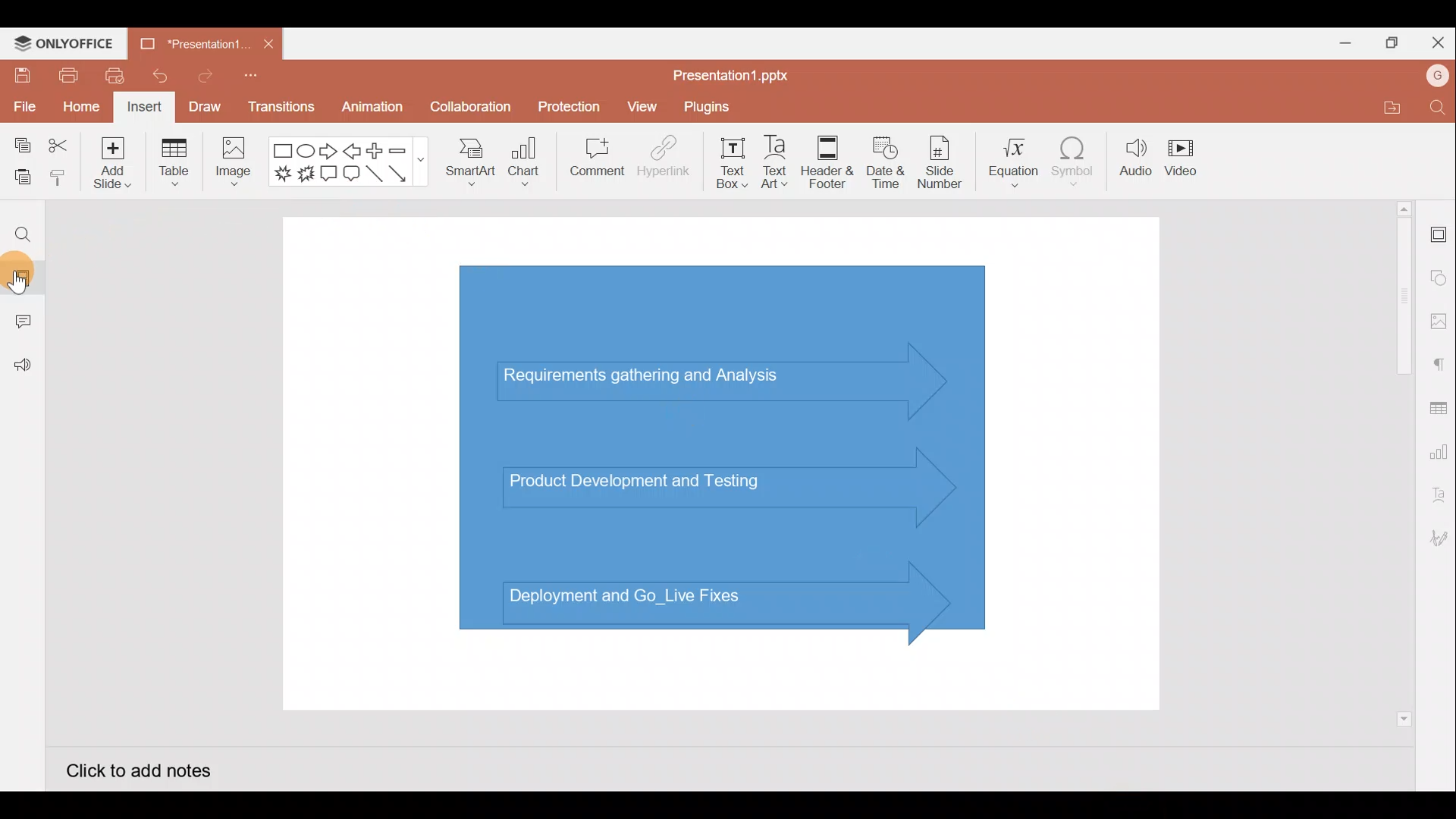 This screenshot has width=1456, height=819. What do you see at coordinates (369, 106) in the screenshot?
I see `Animation` at bounding box center [369, 106].